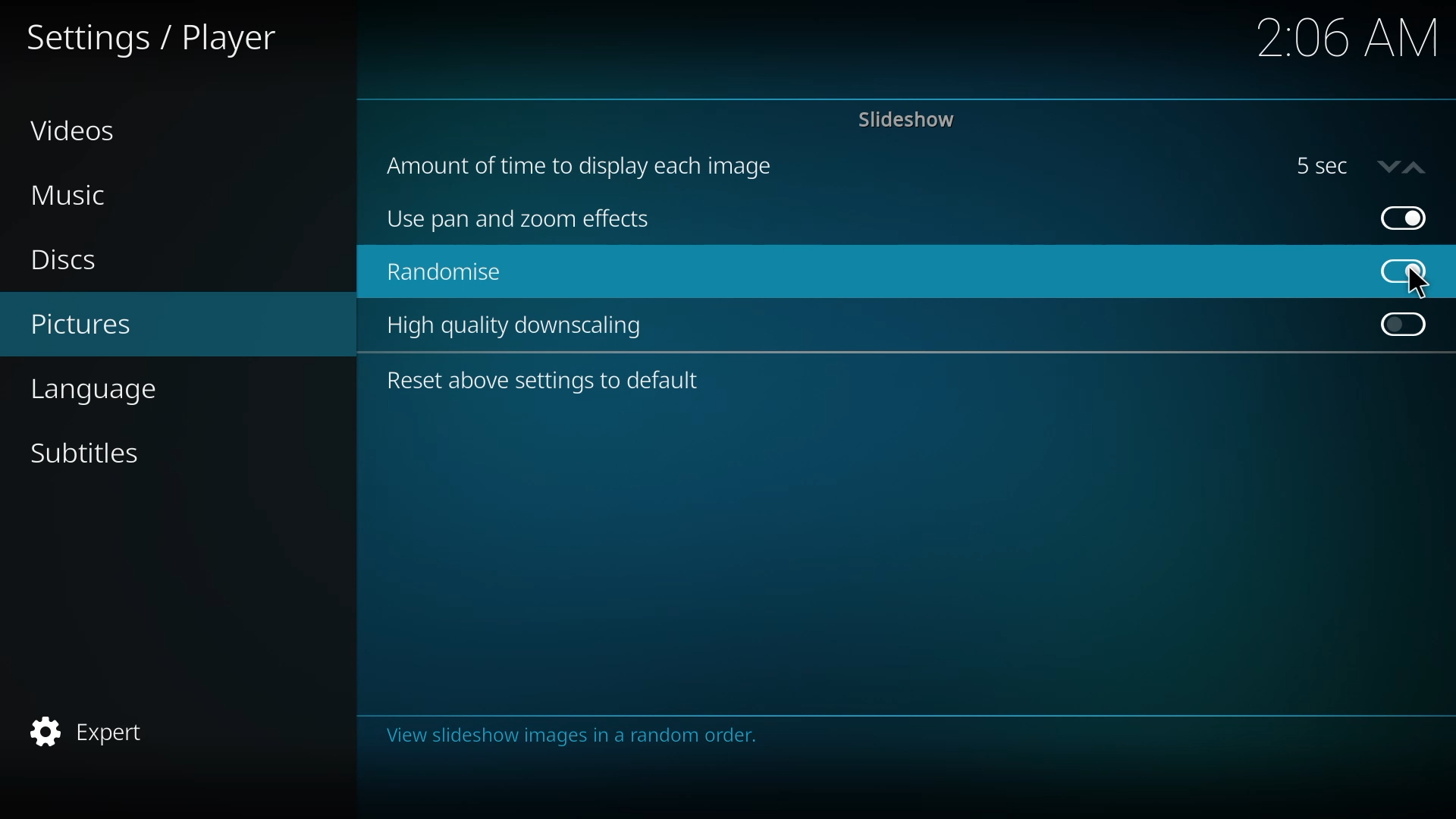  Describe the element at coordinates (70, 196) in the screenshot. I see `music` at that location.